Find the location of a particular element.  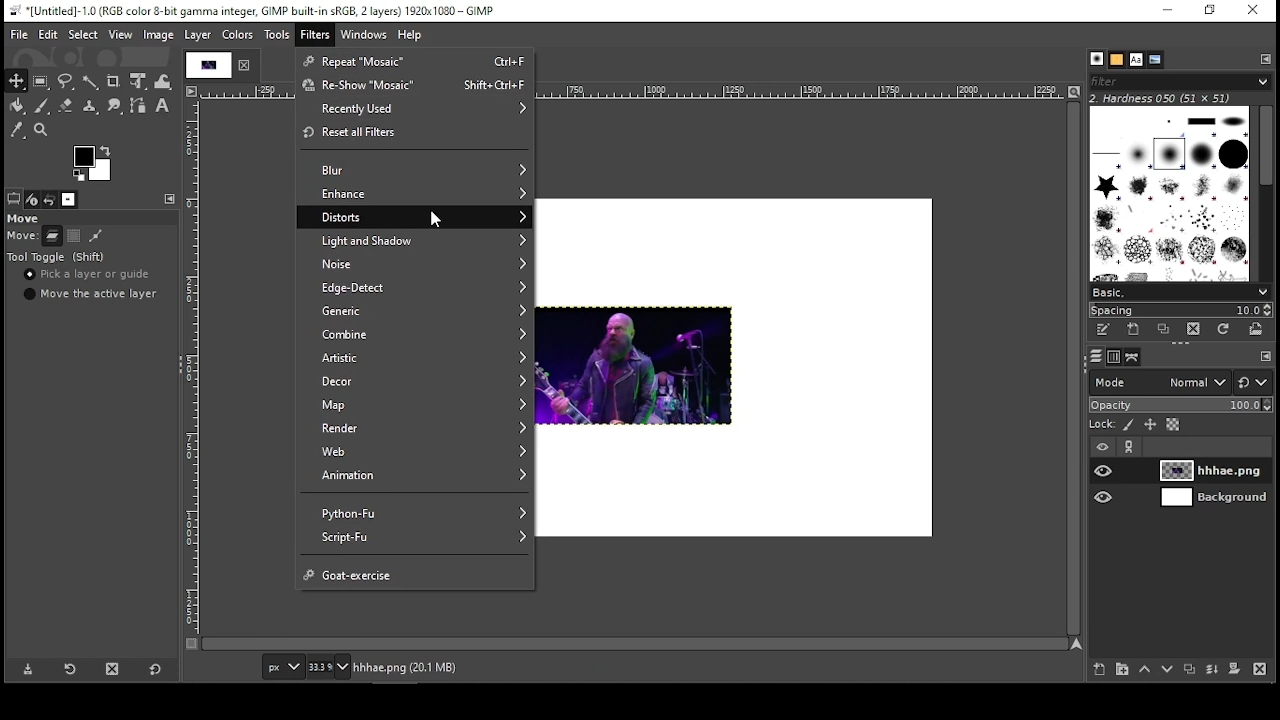

image is located at coordinates (160, 34).